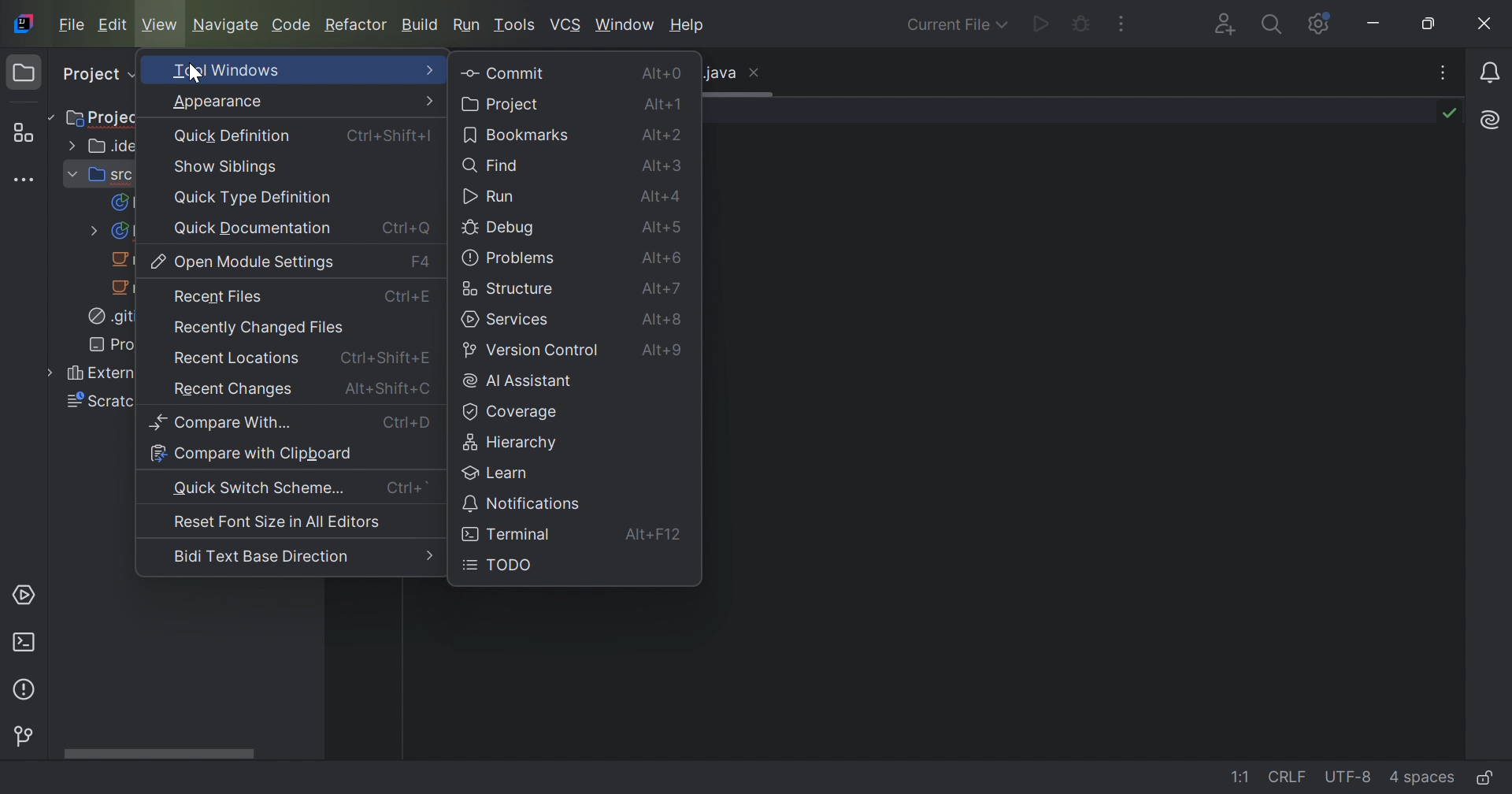  I want to click on Quick Type Definition, so click(256, 198).